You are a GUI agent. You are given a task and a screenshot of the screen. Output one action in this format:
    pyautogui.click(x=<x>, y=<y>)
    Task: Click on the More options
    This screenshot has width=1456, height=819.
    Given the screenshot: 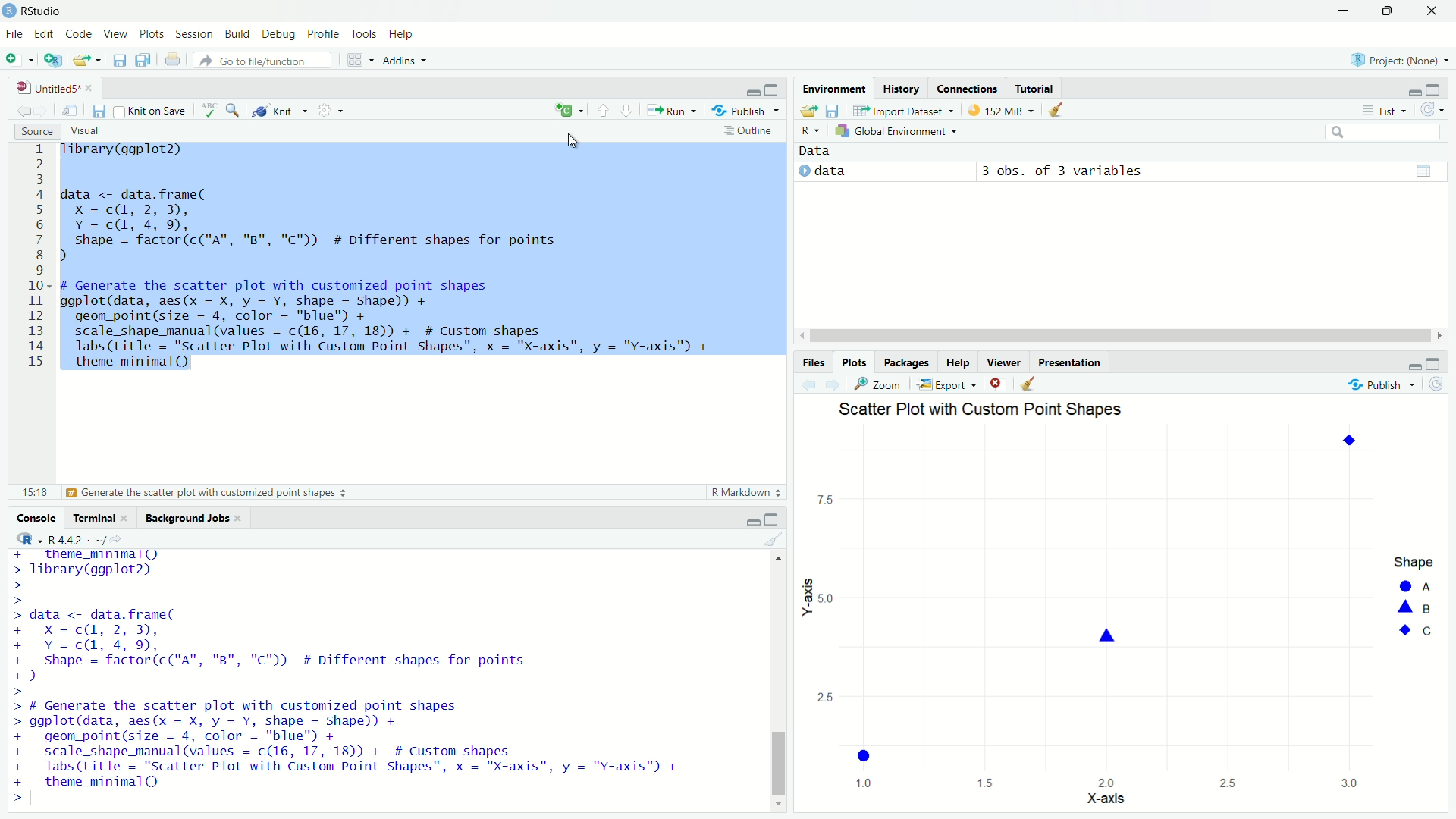 What is the action you would take?
    pyautogui.click(x=330, y=110)
    